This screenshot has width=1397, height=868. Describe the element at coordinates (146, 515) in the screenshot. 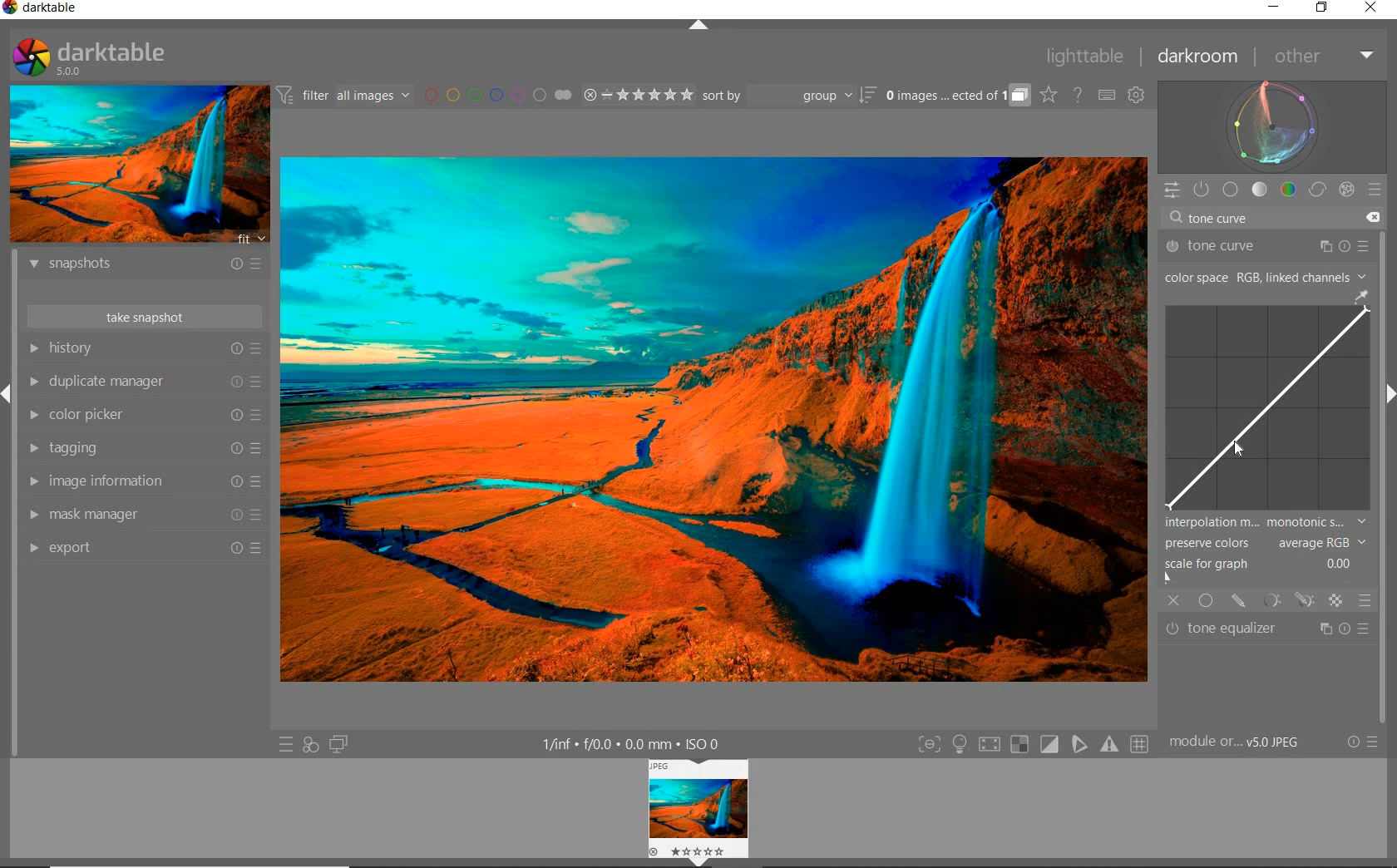

I see `mask manager` at that location.